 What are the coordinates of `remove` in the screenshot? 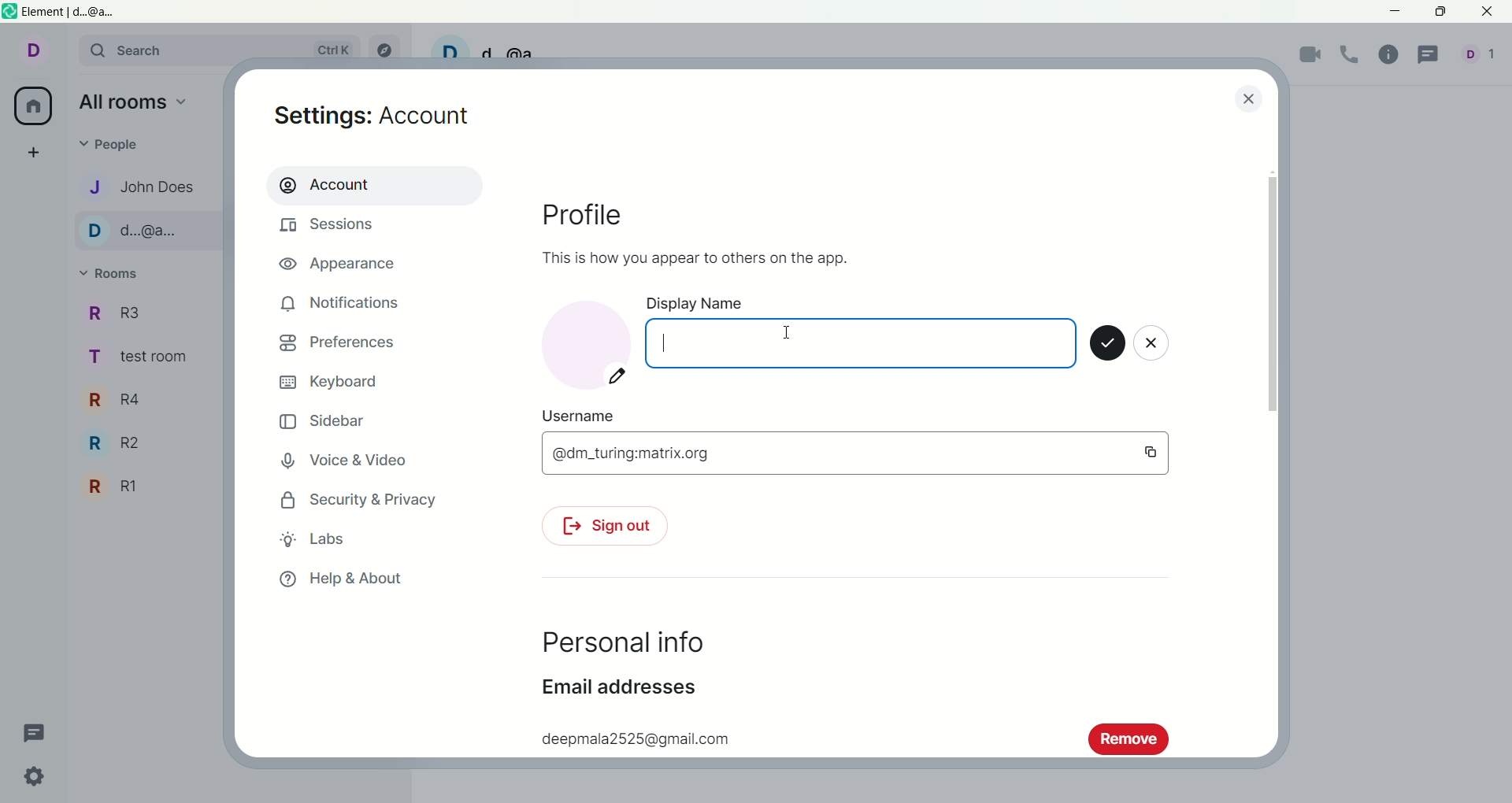 It's located at (1128, 738).